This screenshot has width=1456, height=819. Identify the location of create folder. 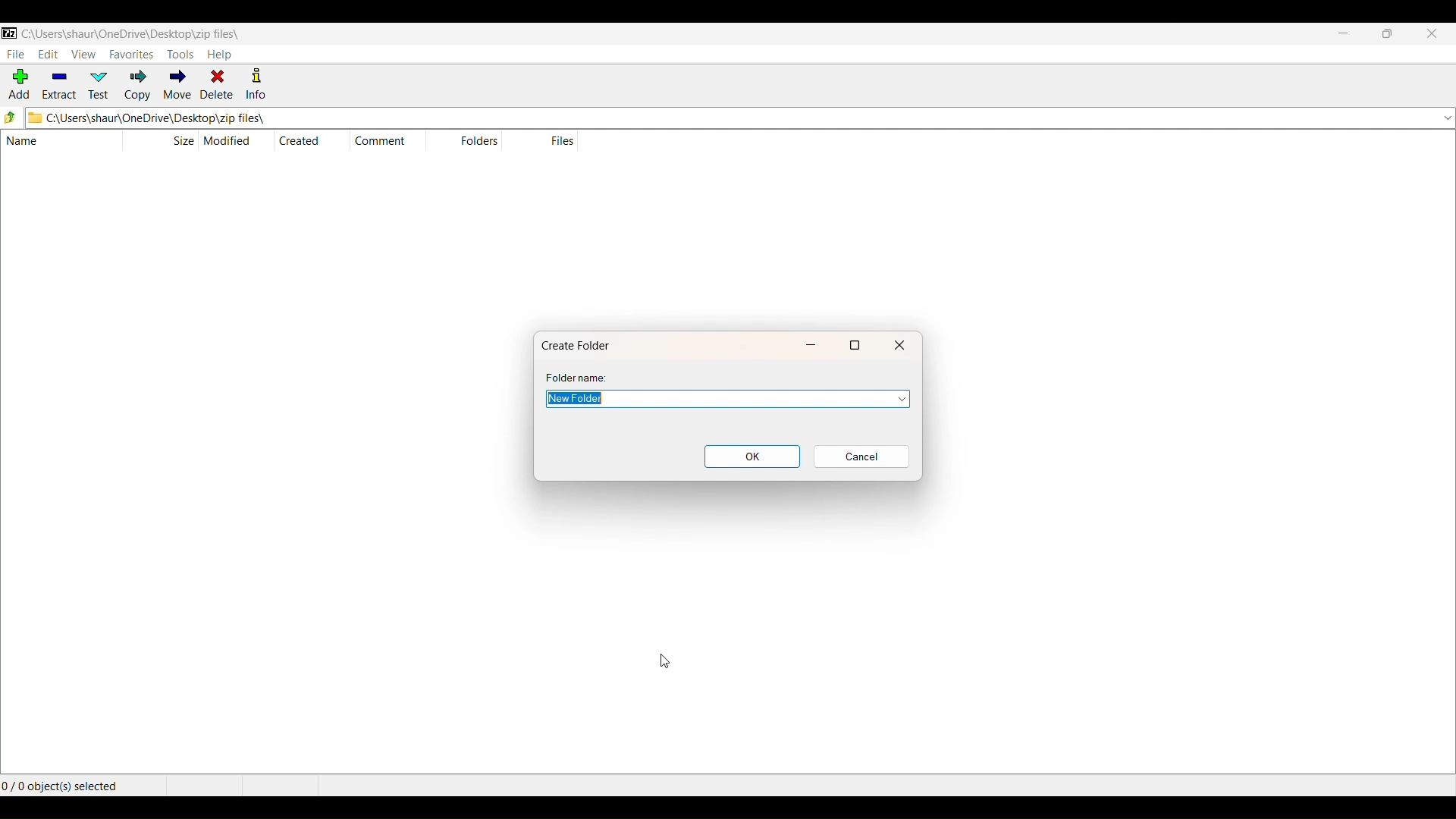
(581, 344).